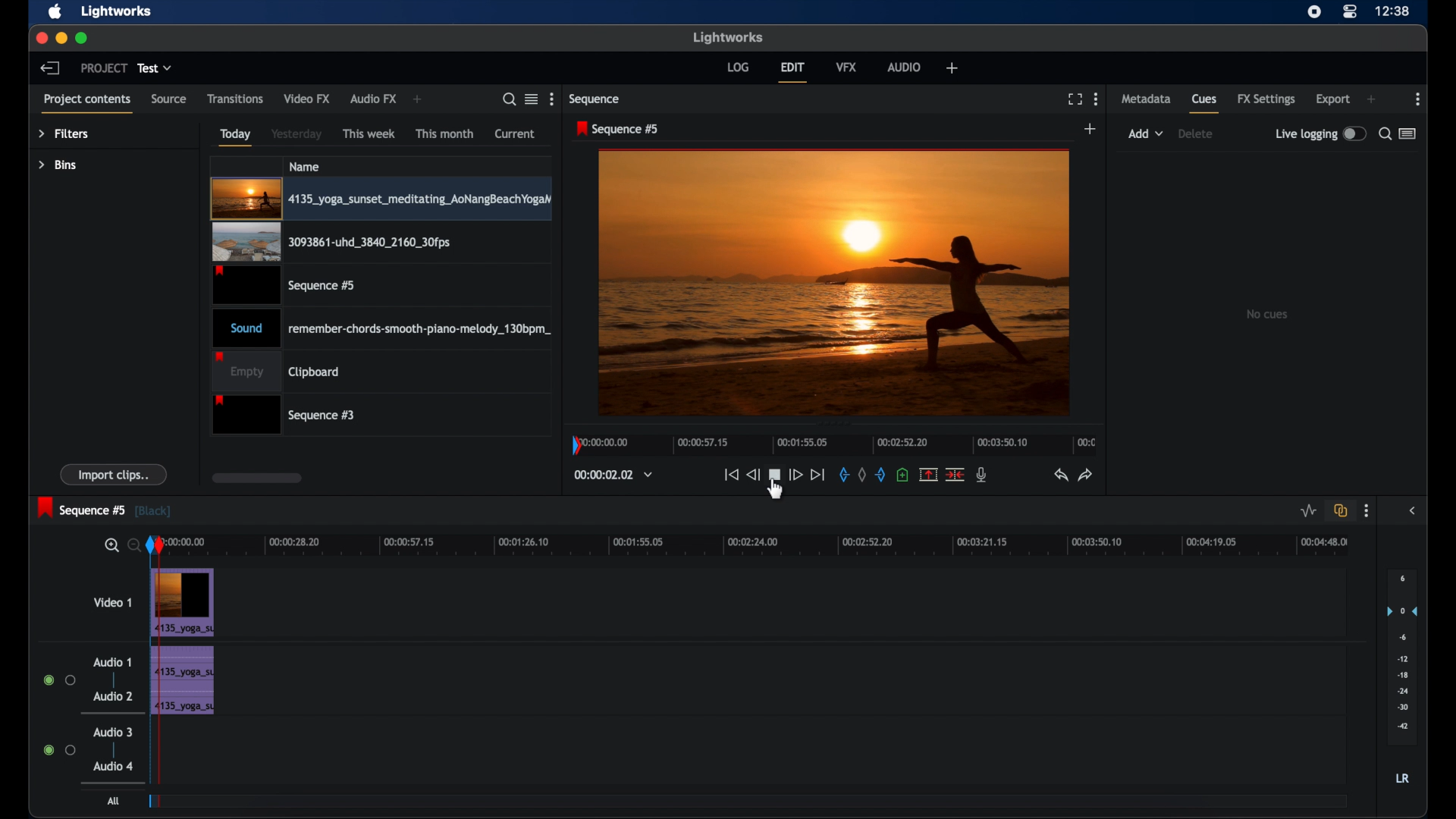  Describe the element at coordinates (369, 133) in the screenshot. I see `this week` at that location.